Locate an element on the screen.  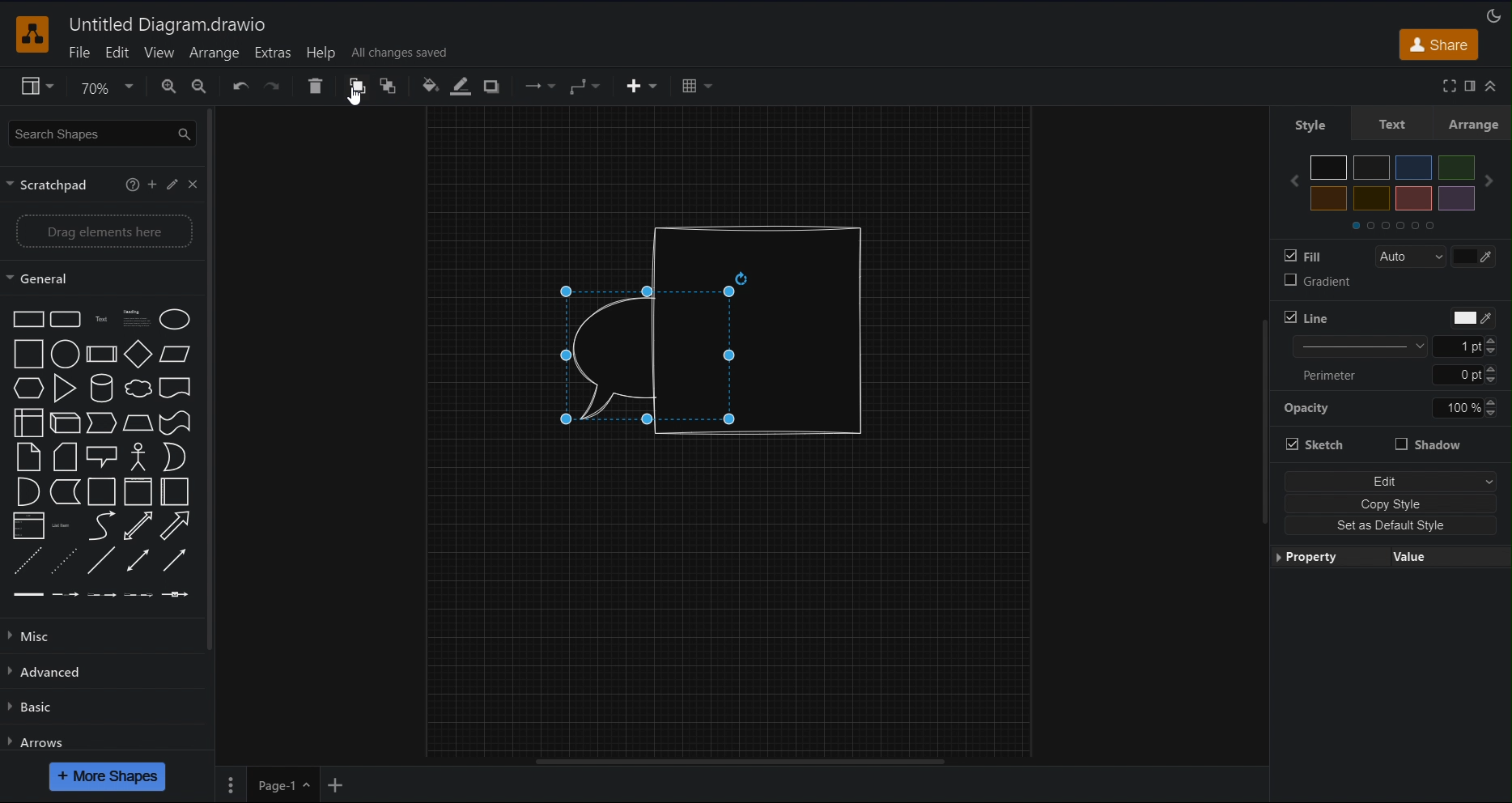
Extras is located at coordinates (274, 53).